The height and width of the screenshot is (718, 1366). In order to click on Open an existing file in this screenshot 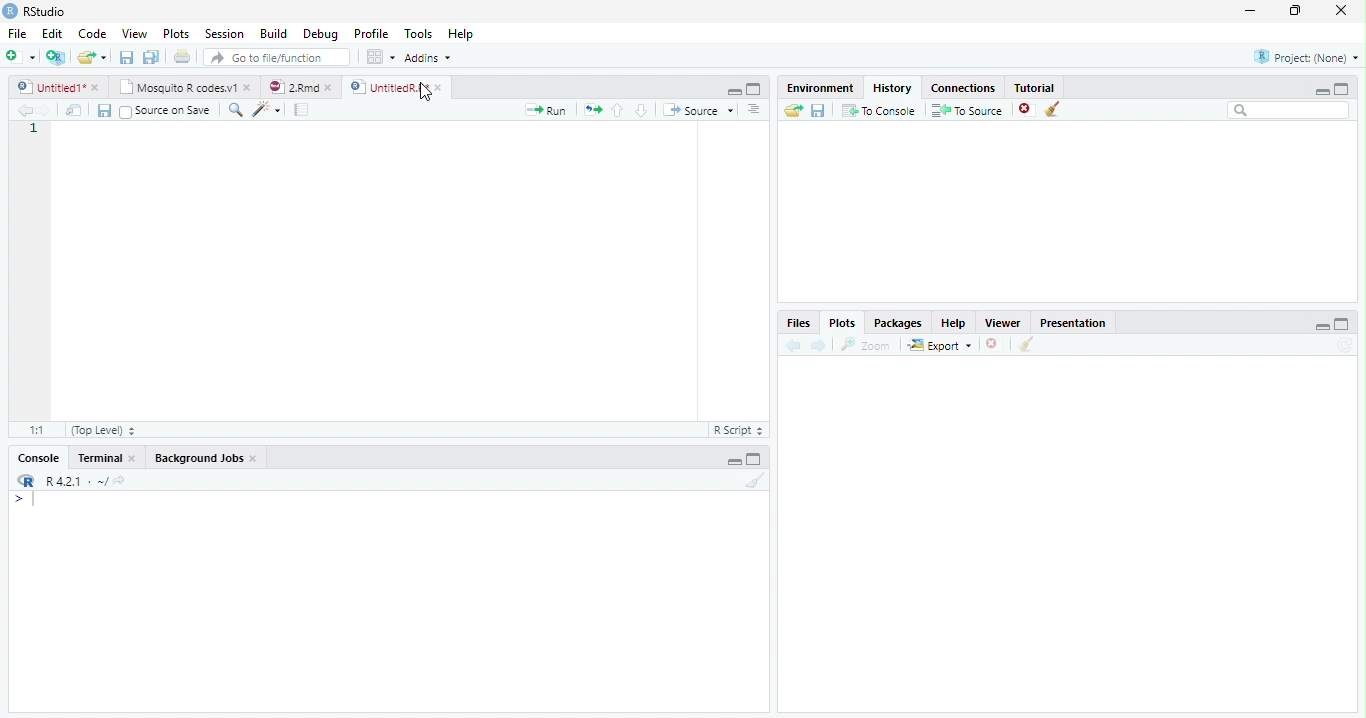, I will do `click(92, 57)`.